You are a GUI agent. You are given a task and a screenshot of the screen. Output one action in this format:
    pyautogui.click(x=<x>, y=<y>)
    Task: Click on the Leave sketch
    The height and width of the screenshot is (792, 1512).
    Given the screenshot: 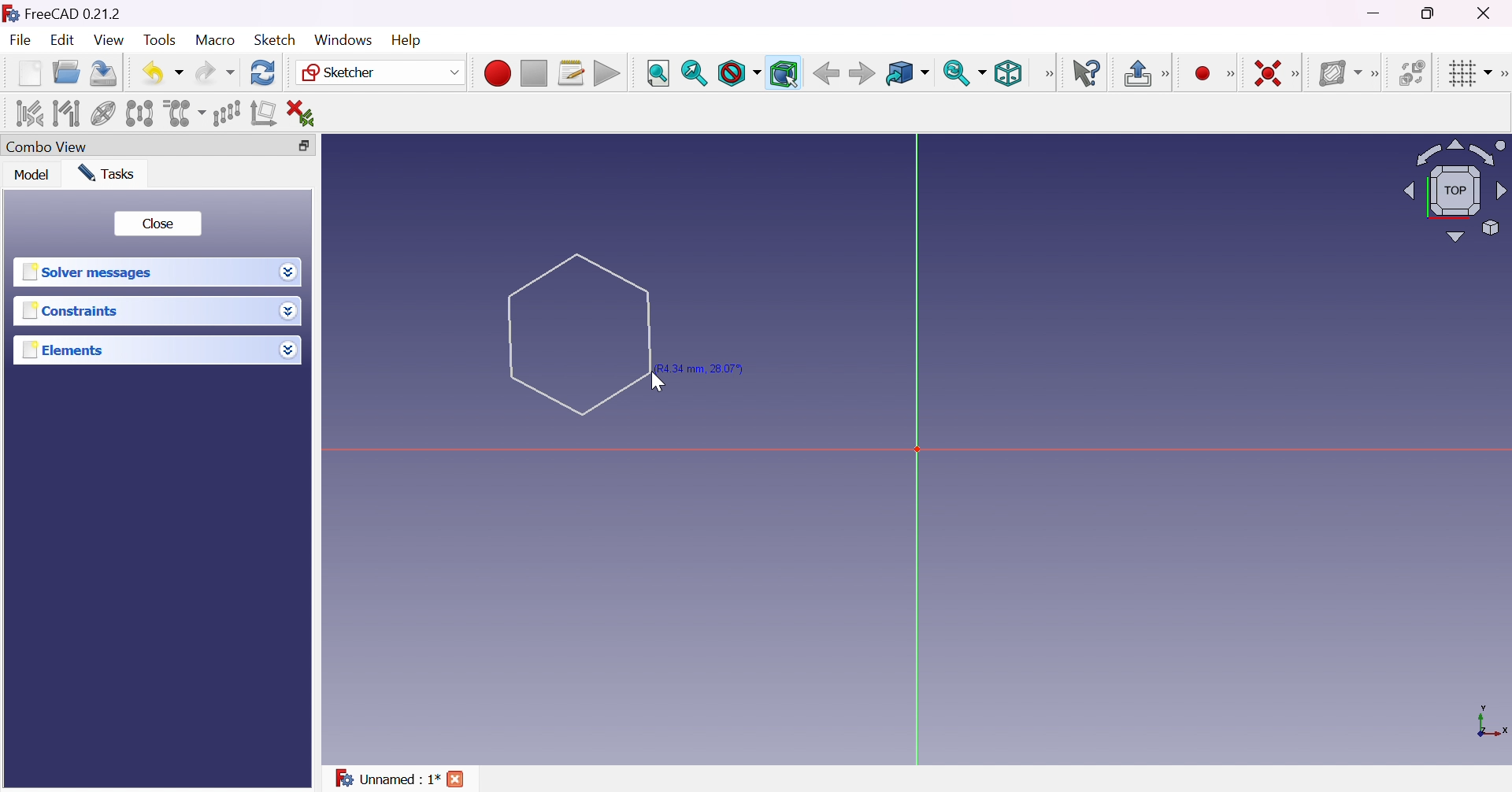 What is the action you would take?
    pyautogui.click(x=1136, y=73)
    